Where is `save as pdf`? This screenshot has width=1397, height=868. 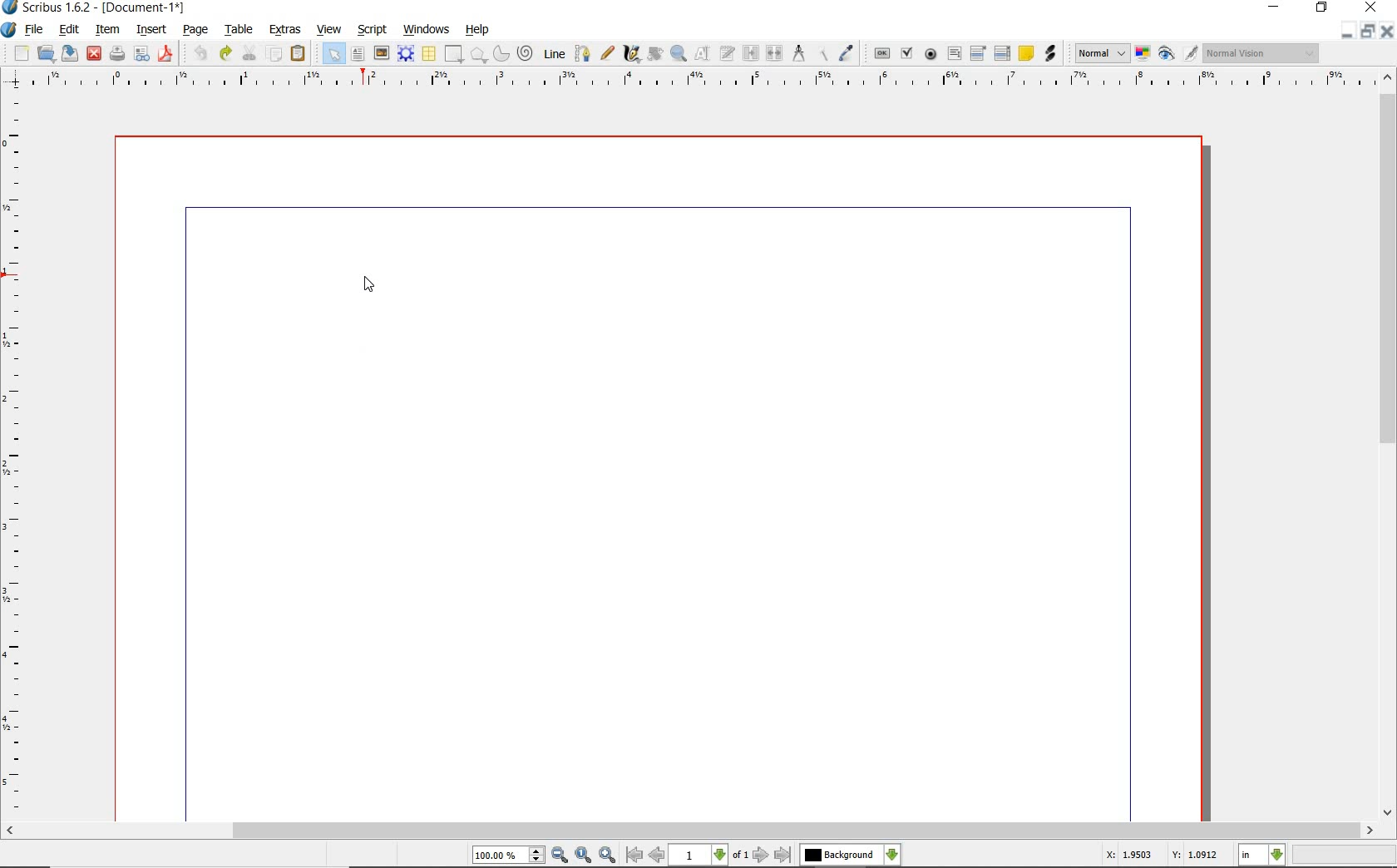
save as pdf is located at coordinates (165, 53).